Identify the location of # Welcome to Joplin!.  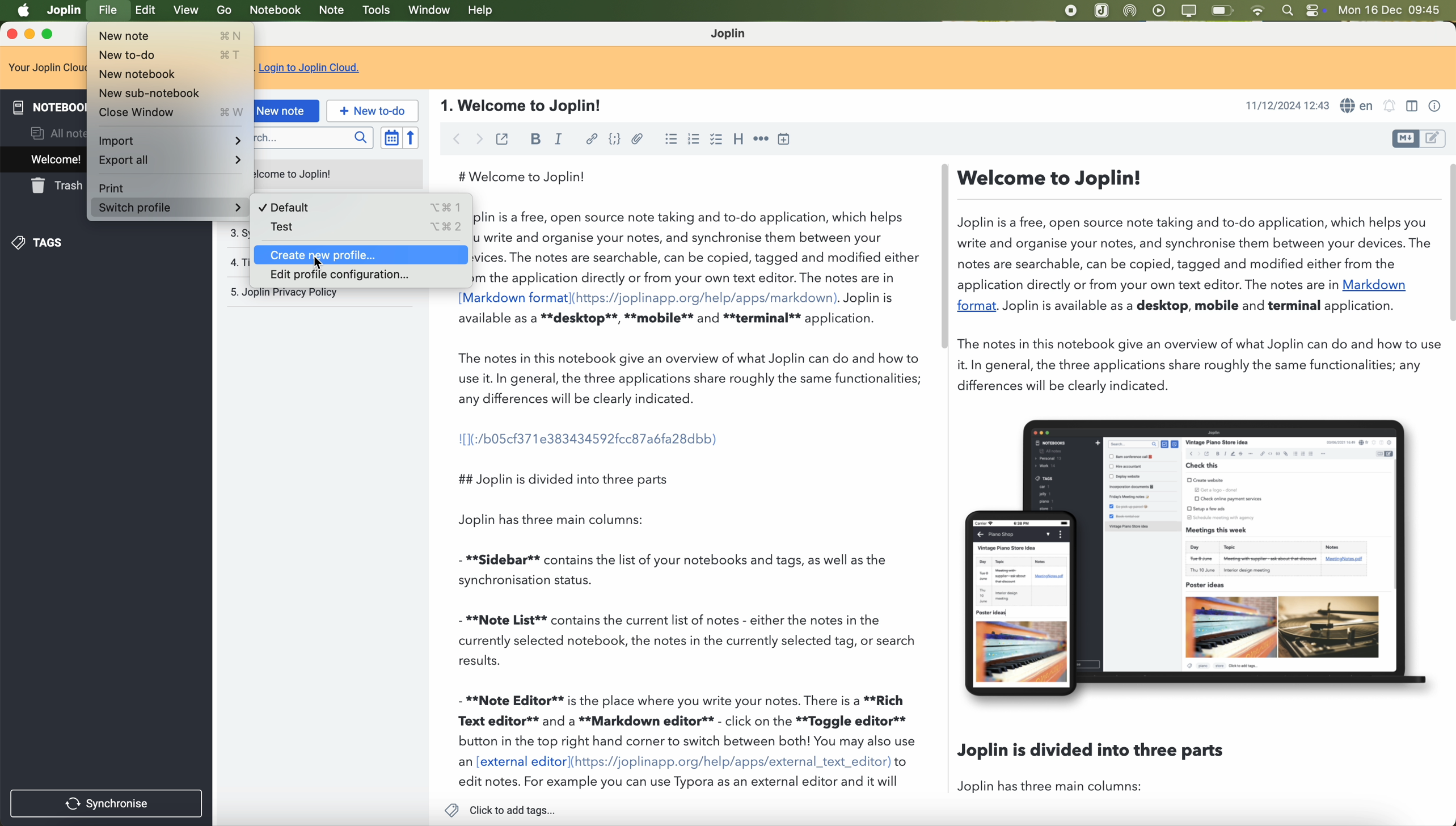
(527, 176).